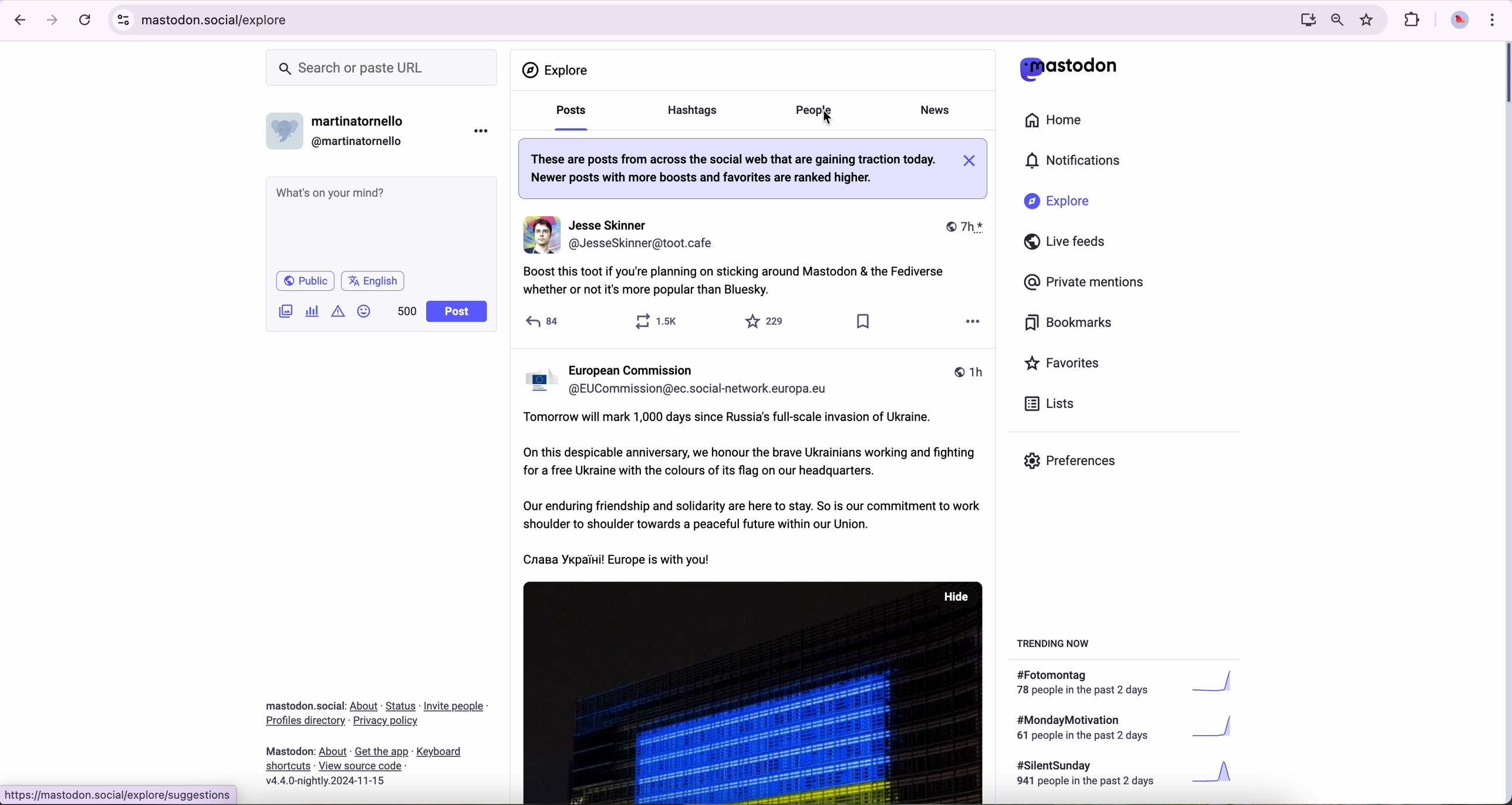 Image resolution: width=1512 pixels, height=805 pixels. Describe the element at coordinates (968, 325) in the screenshot. I see `more options` at that location.